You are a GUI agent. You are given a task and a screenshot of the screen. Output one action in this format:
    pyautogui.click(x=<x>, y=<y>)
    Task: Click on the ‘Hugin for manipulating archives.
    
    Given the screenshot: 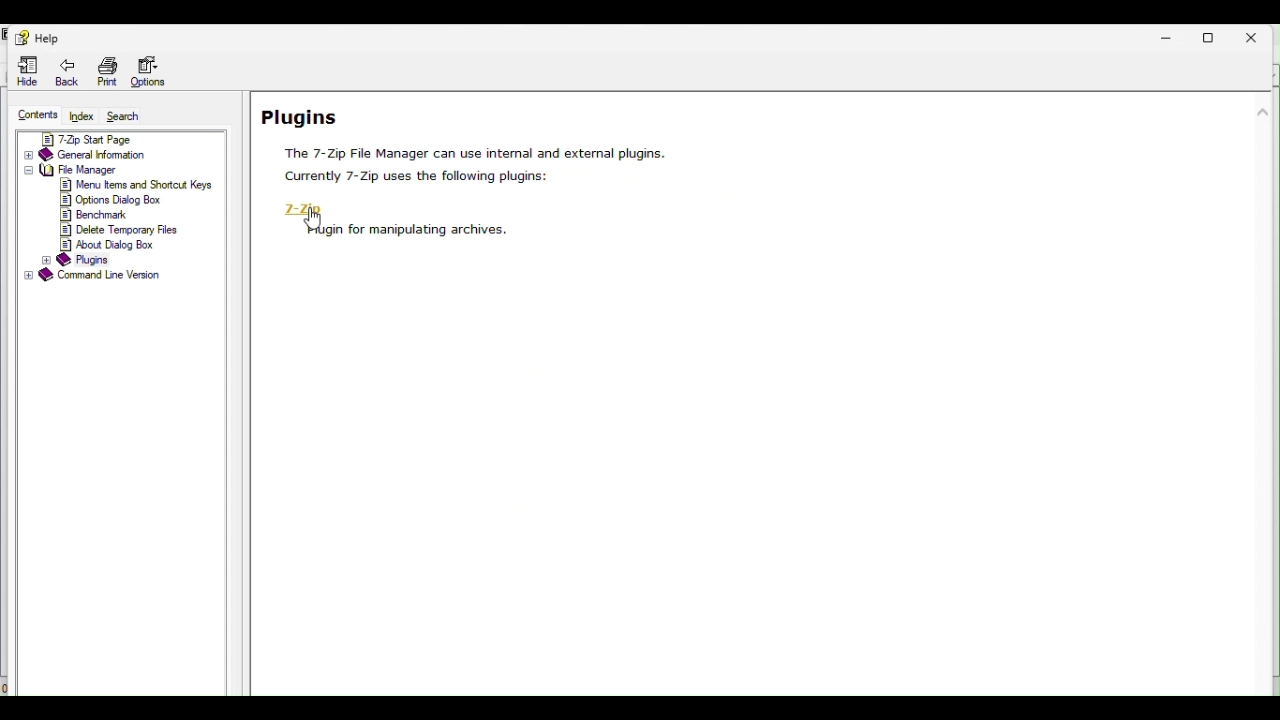 What is the action you would take?
    pyautogui.click(x=415, y=231)
    